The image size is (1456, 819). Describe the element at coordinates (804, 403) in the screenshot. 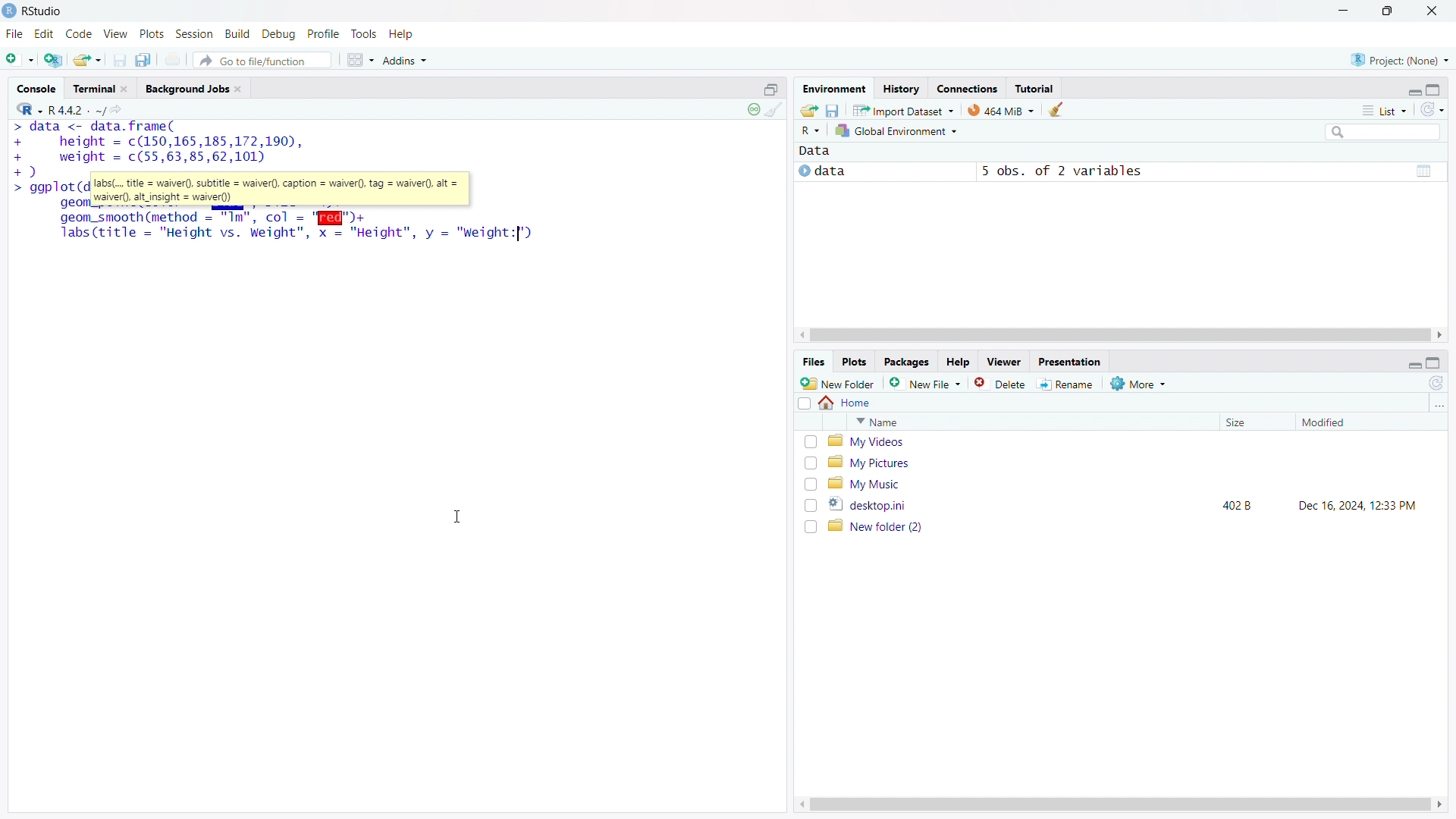

I see `select entry` at that location.